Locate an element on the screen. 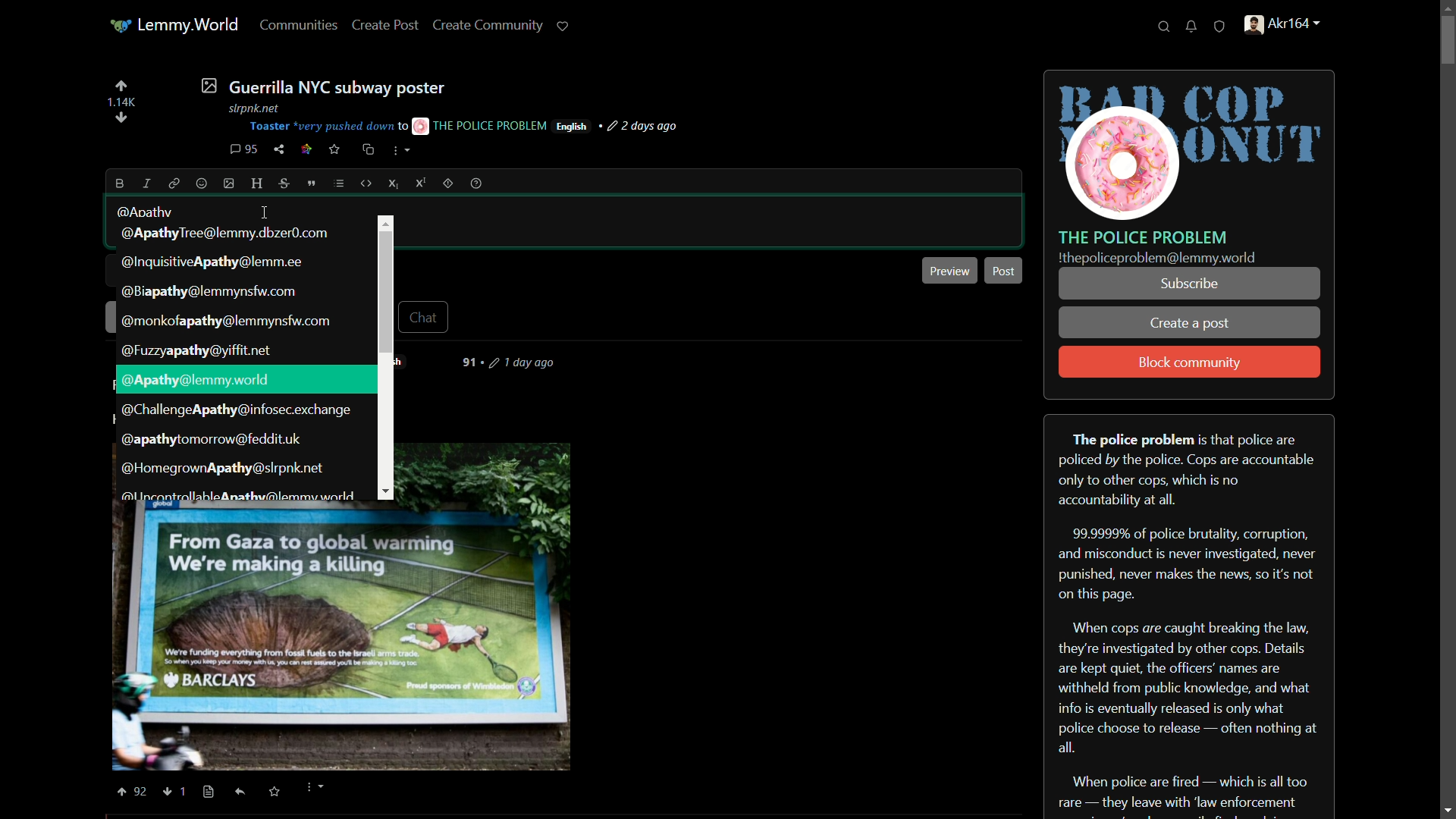  header is located at coordinates (258, 184).